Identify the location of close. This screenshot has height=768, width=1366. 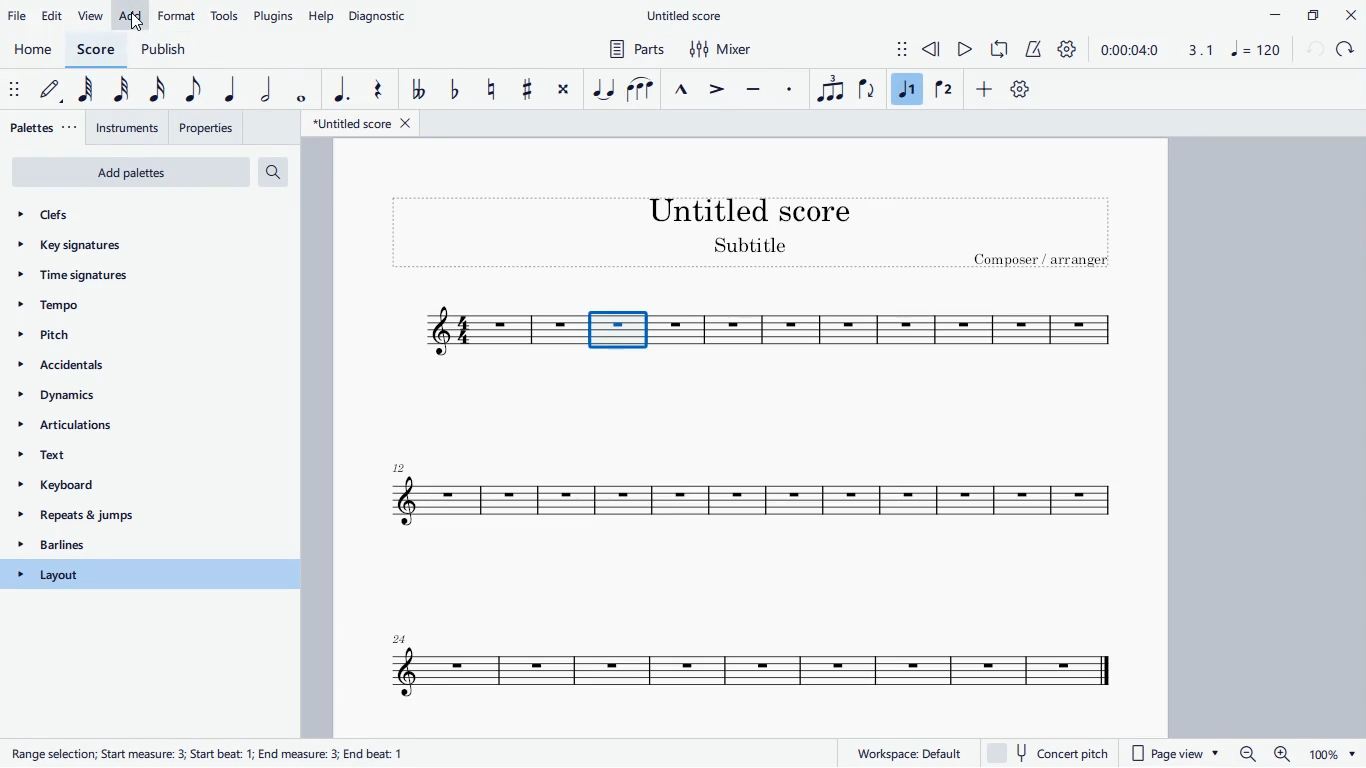
(1350, 14).